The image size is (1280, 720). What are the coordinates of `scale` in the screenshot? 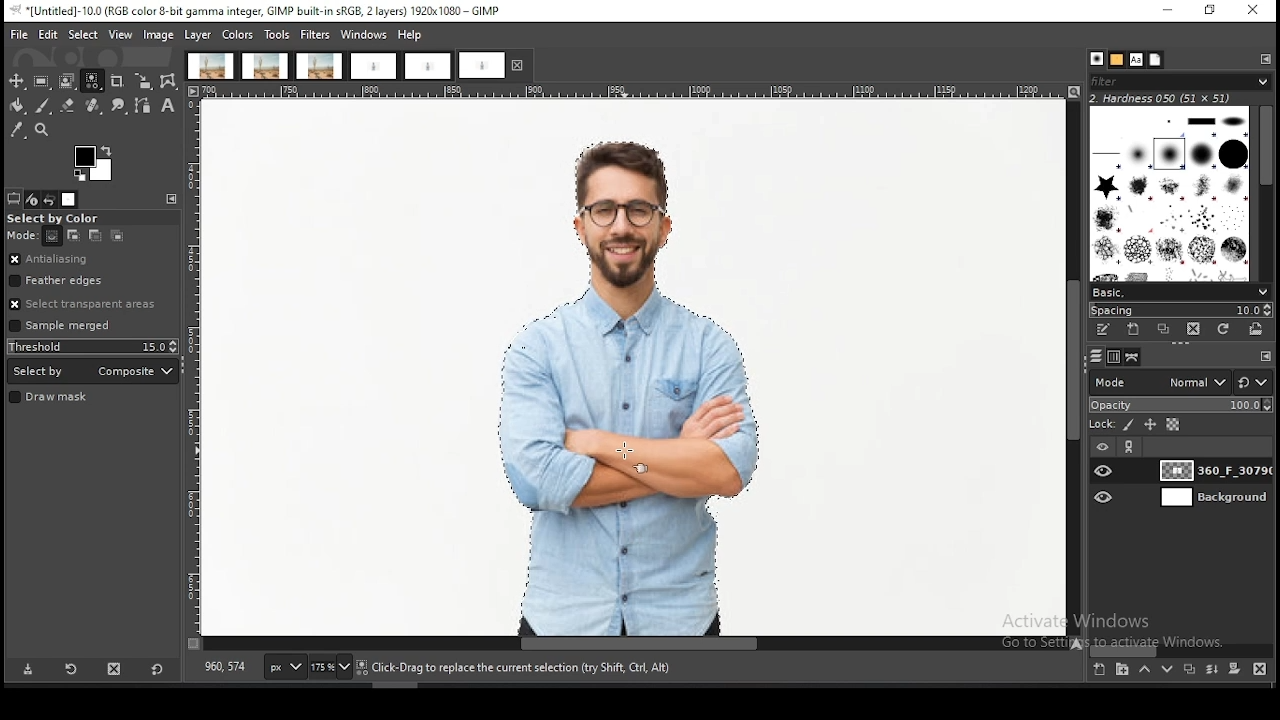 It's located at (637, 92).